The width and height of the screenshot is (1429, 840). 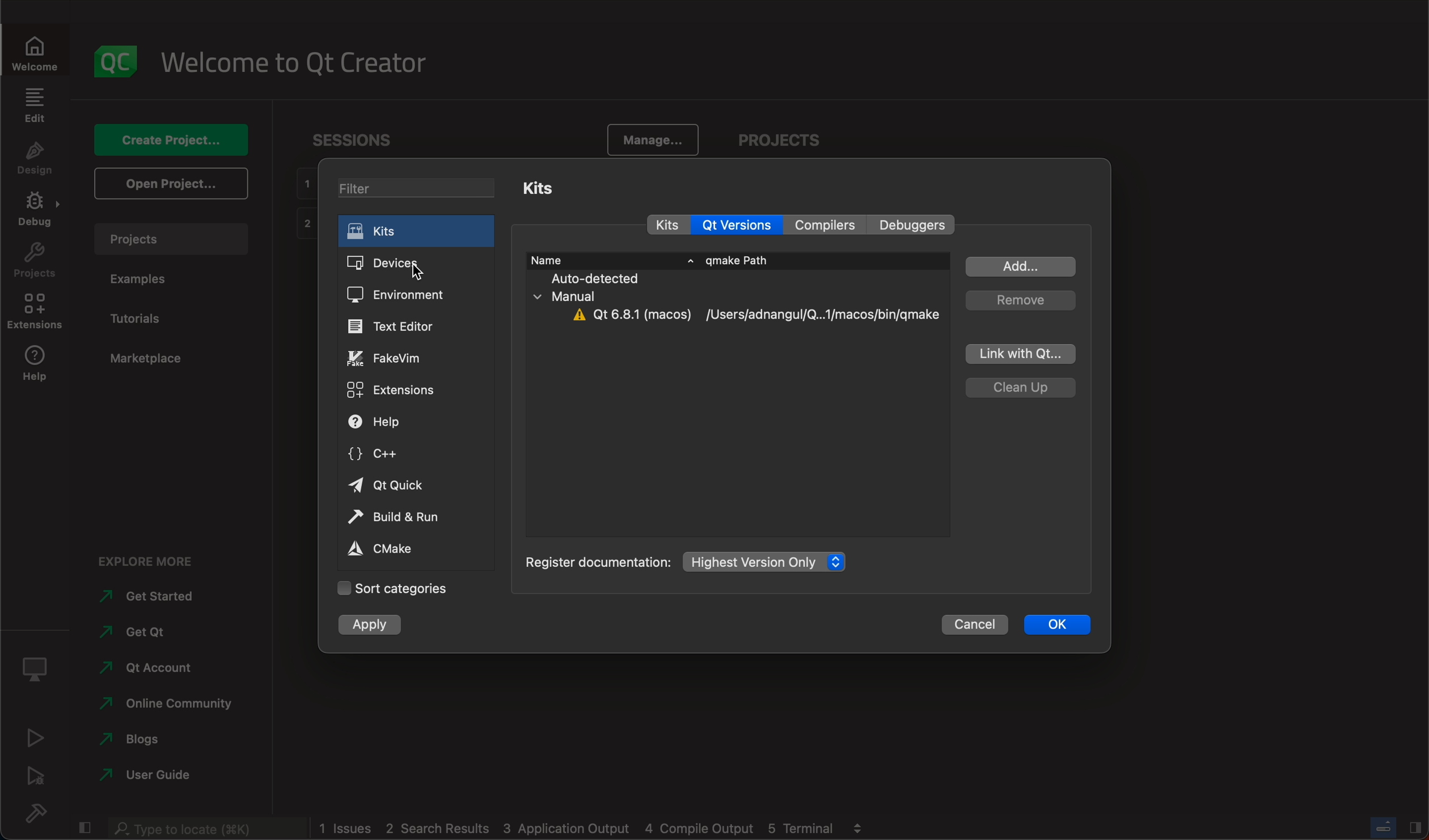 I want to click on projects, so click(x=172, y=238).